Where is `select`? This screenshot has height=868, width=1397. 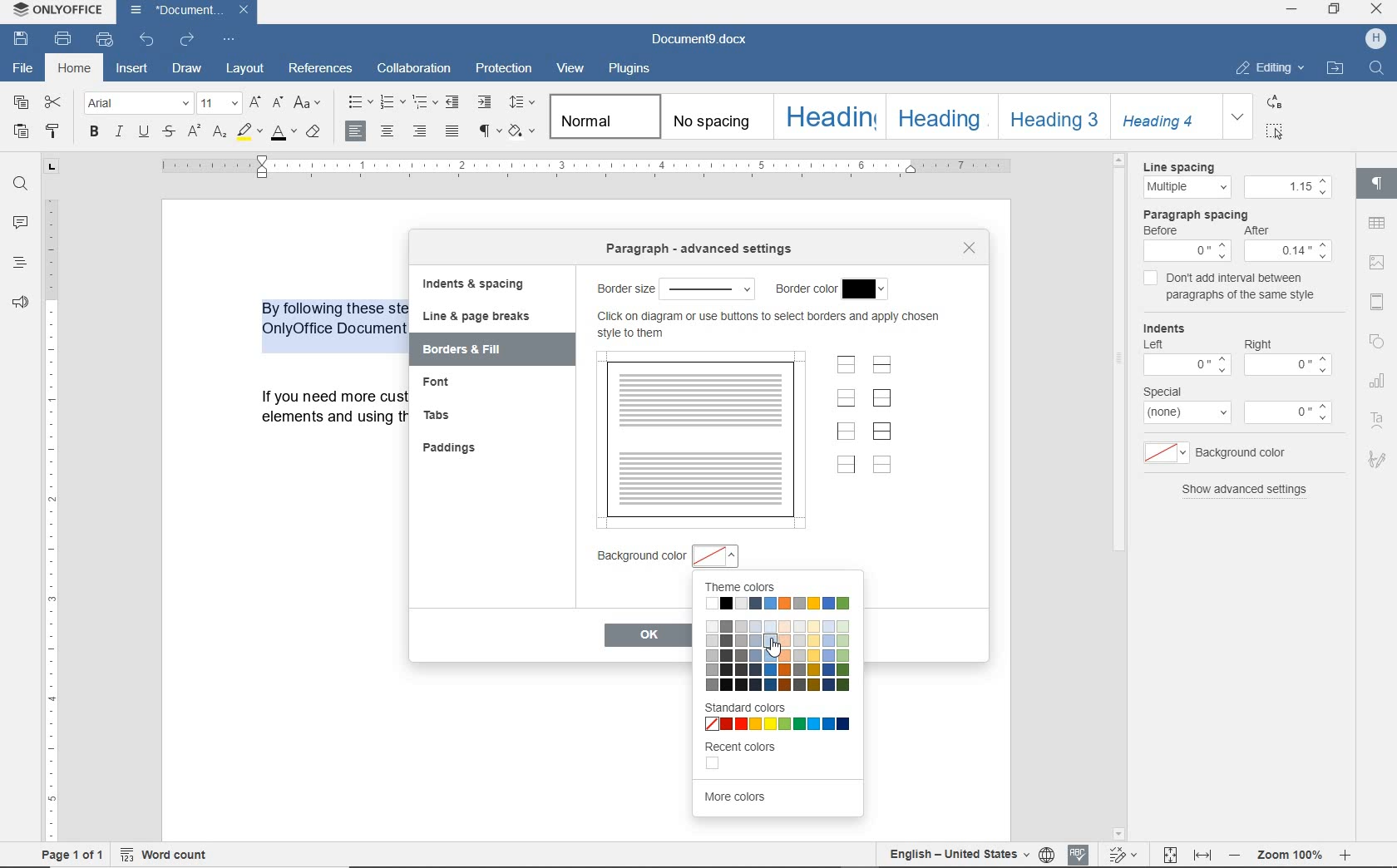
select is located at coordinates (722, 556).